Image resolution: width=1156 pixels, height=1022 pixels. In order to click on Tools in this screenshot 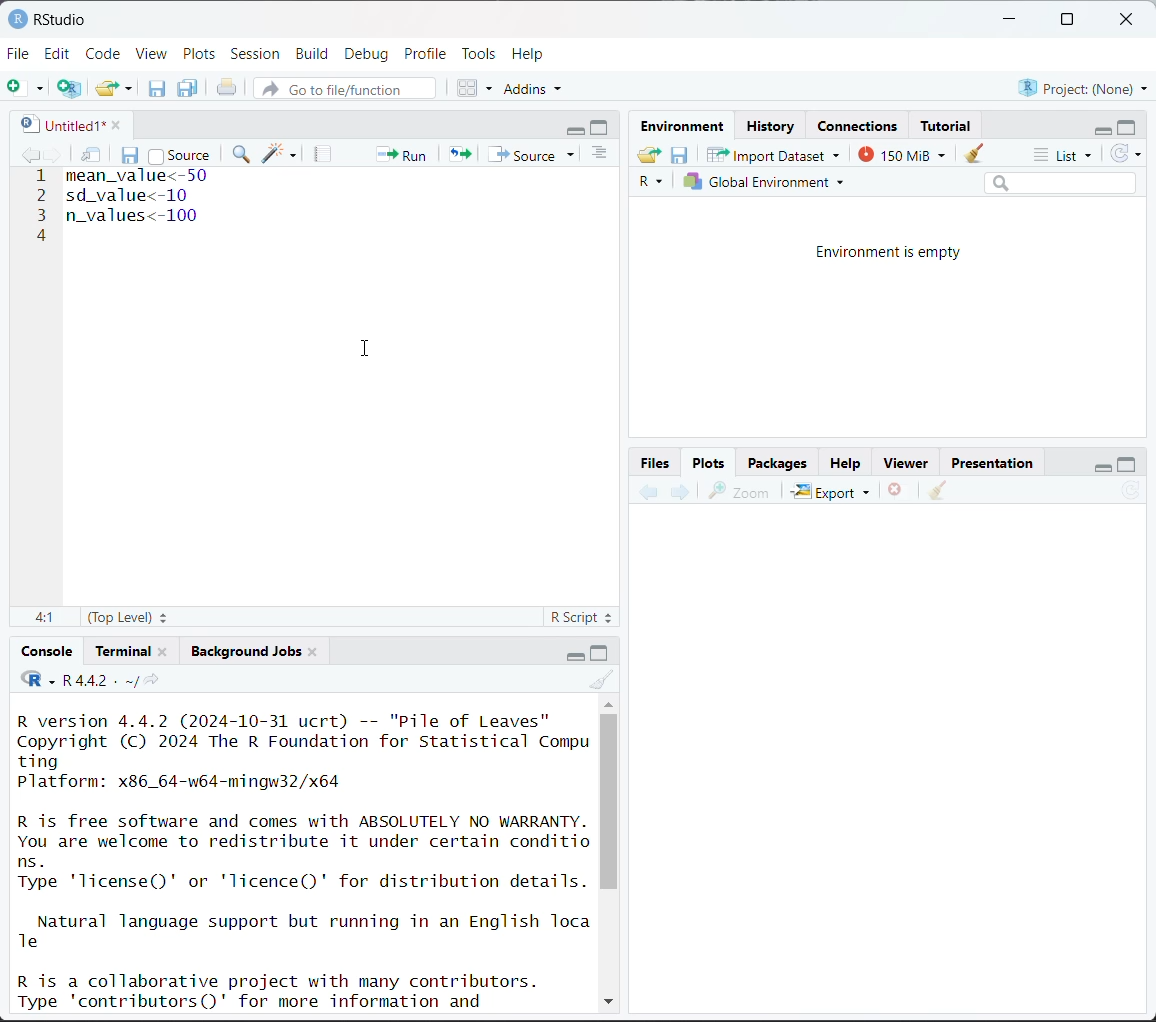, I will do `click(479, 52)`.